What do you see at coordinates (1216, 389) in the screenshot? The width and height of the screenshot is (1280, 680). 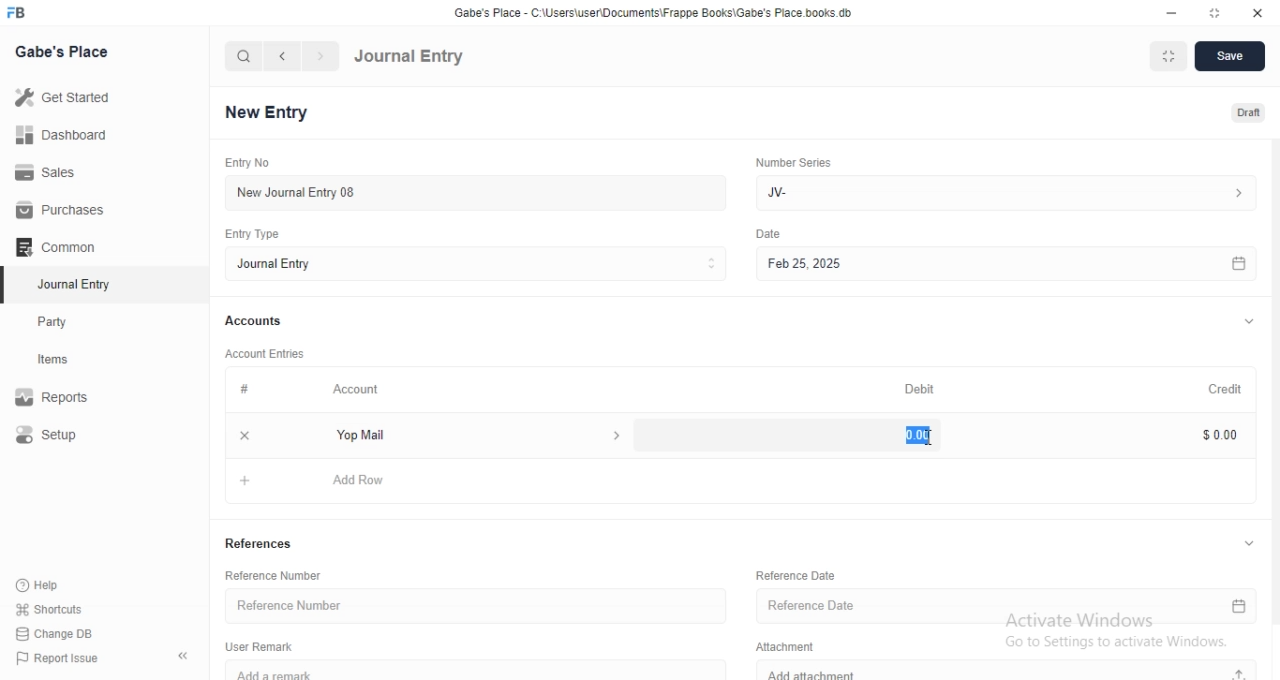 I see `Credit` at bounding box center [1216, 389].